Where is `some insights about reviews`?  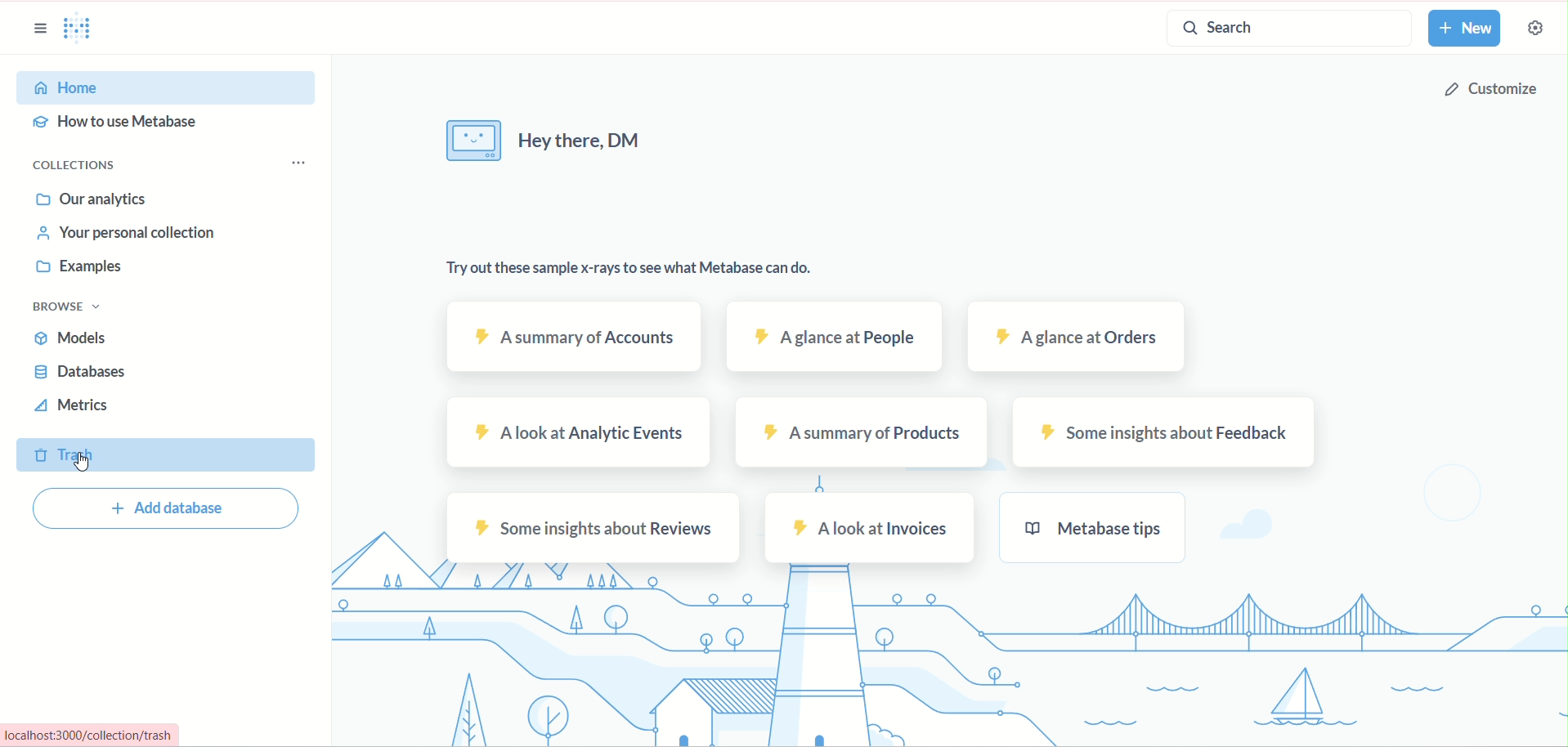 some insights about reviews is located at coordinates (588, 526).